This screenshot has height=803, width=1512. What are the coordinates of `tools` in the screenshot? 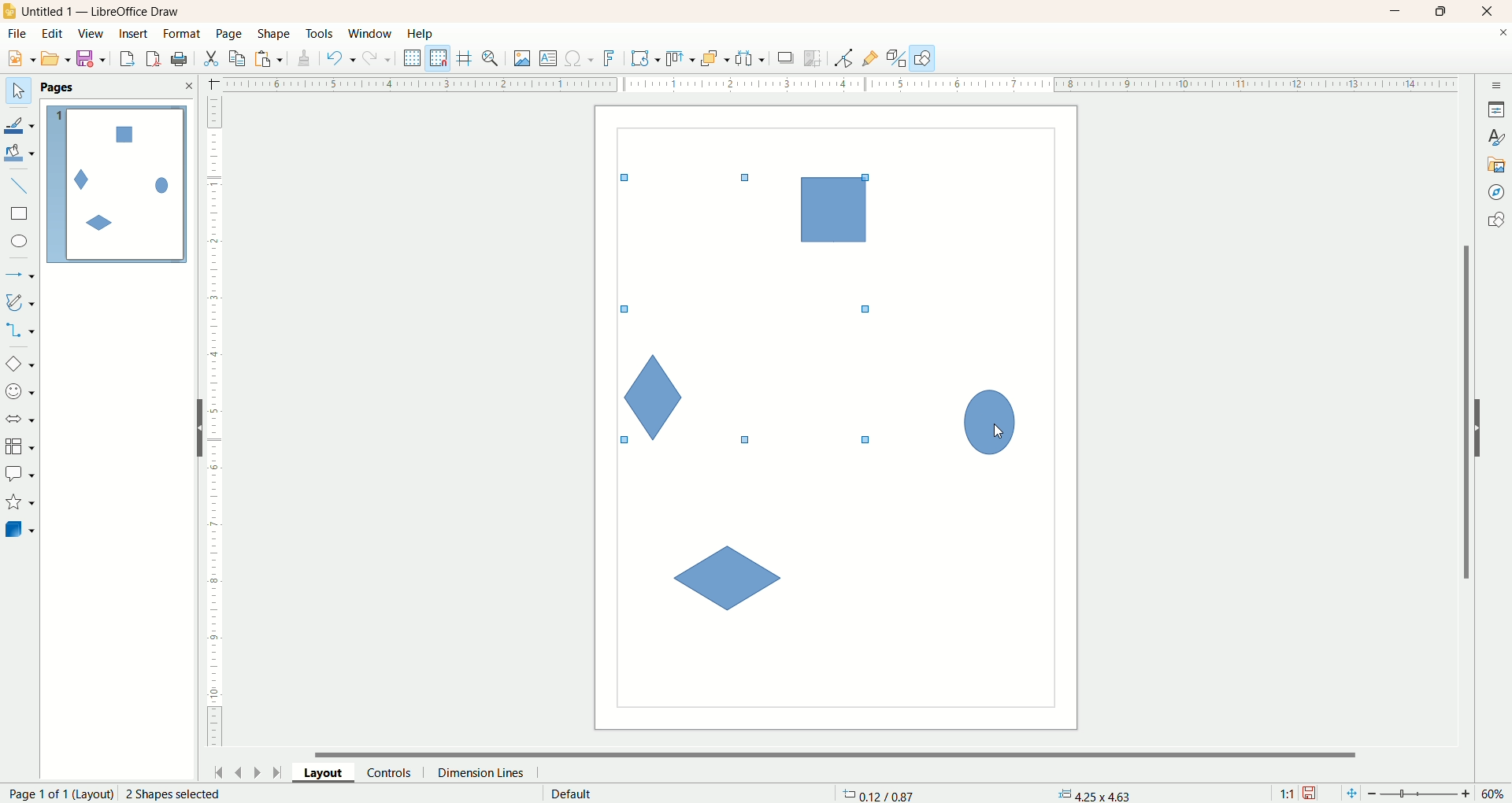 It's located at (321, 35).